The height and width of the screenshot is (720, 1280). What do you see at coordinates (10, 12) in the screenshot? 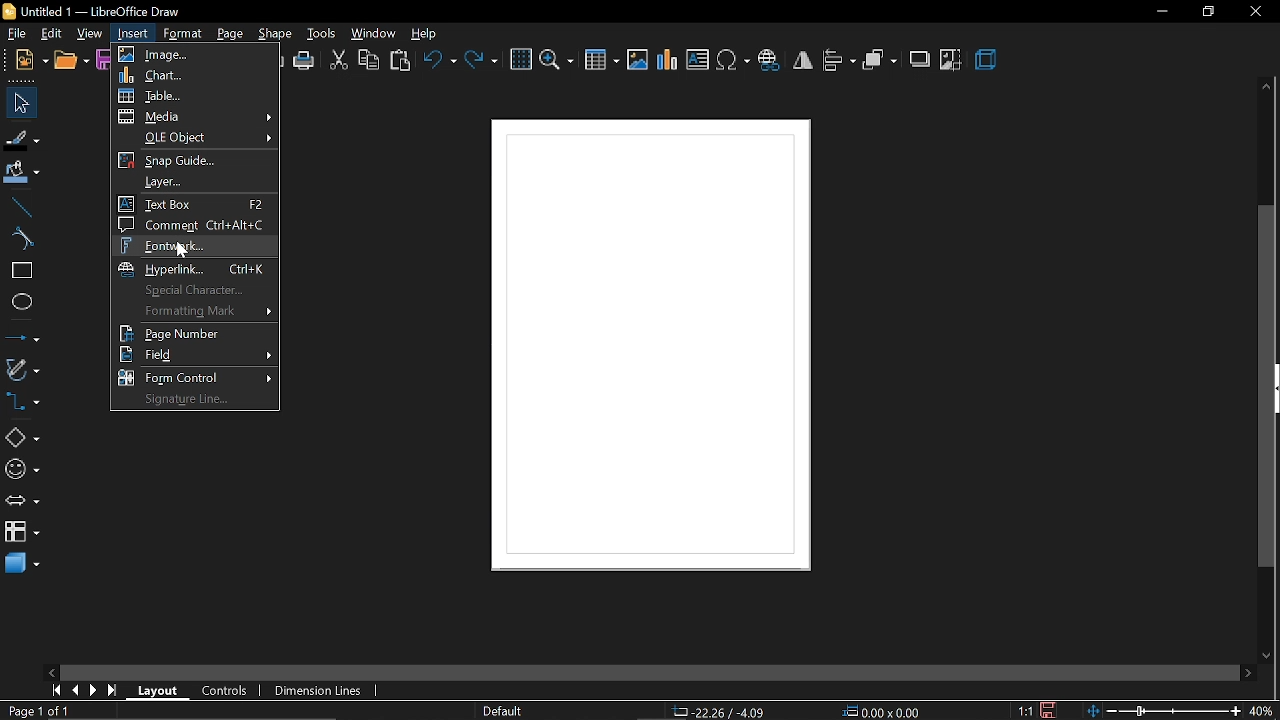
I see `libreoffice draw logo` at bounding box center [10, 12].